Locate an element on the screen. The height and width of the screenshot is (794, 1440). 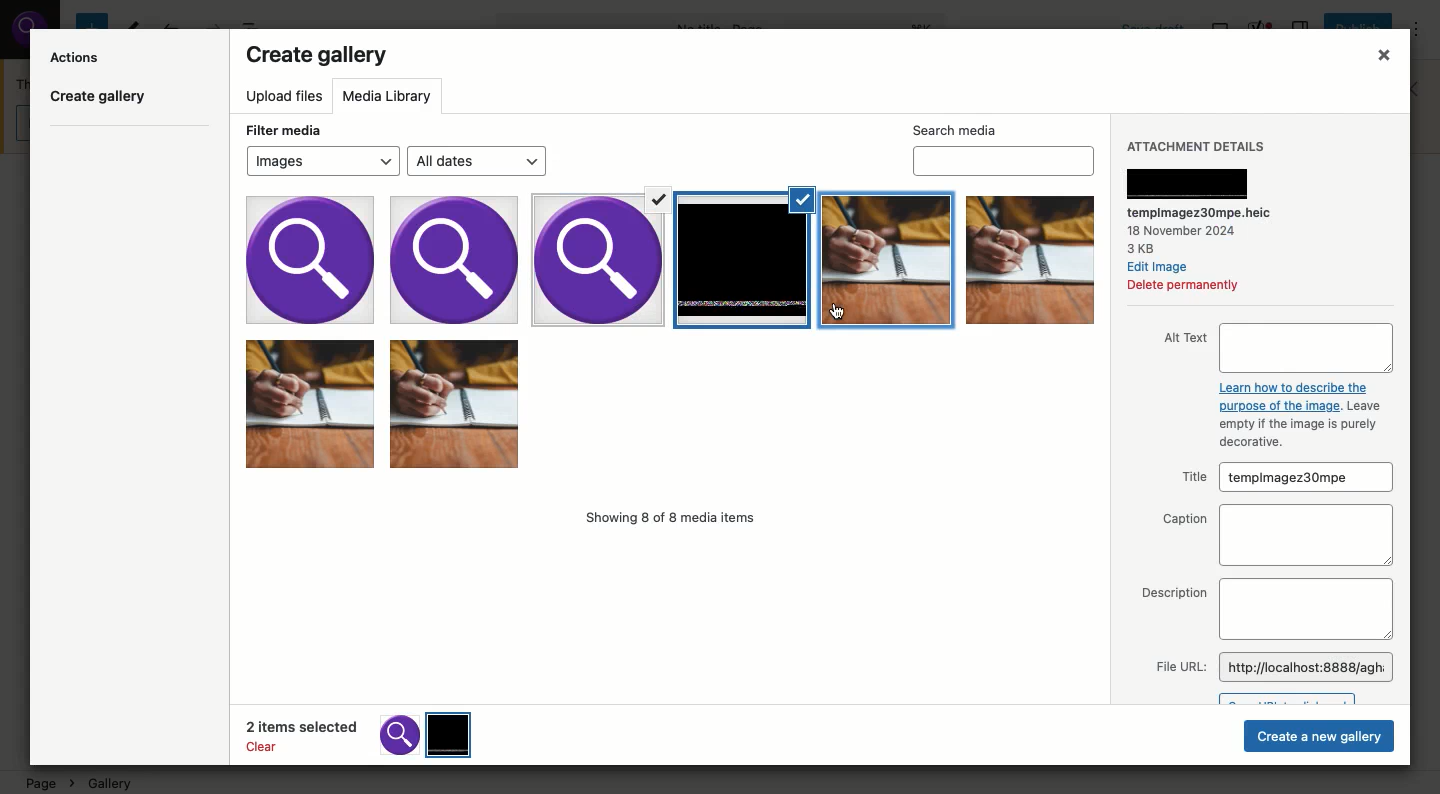
Create new gallery is located at coordinates (1320, 737).